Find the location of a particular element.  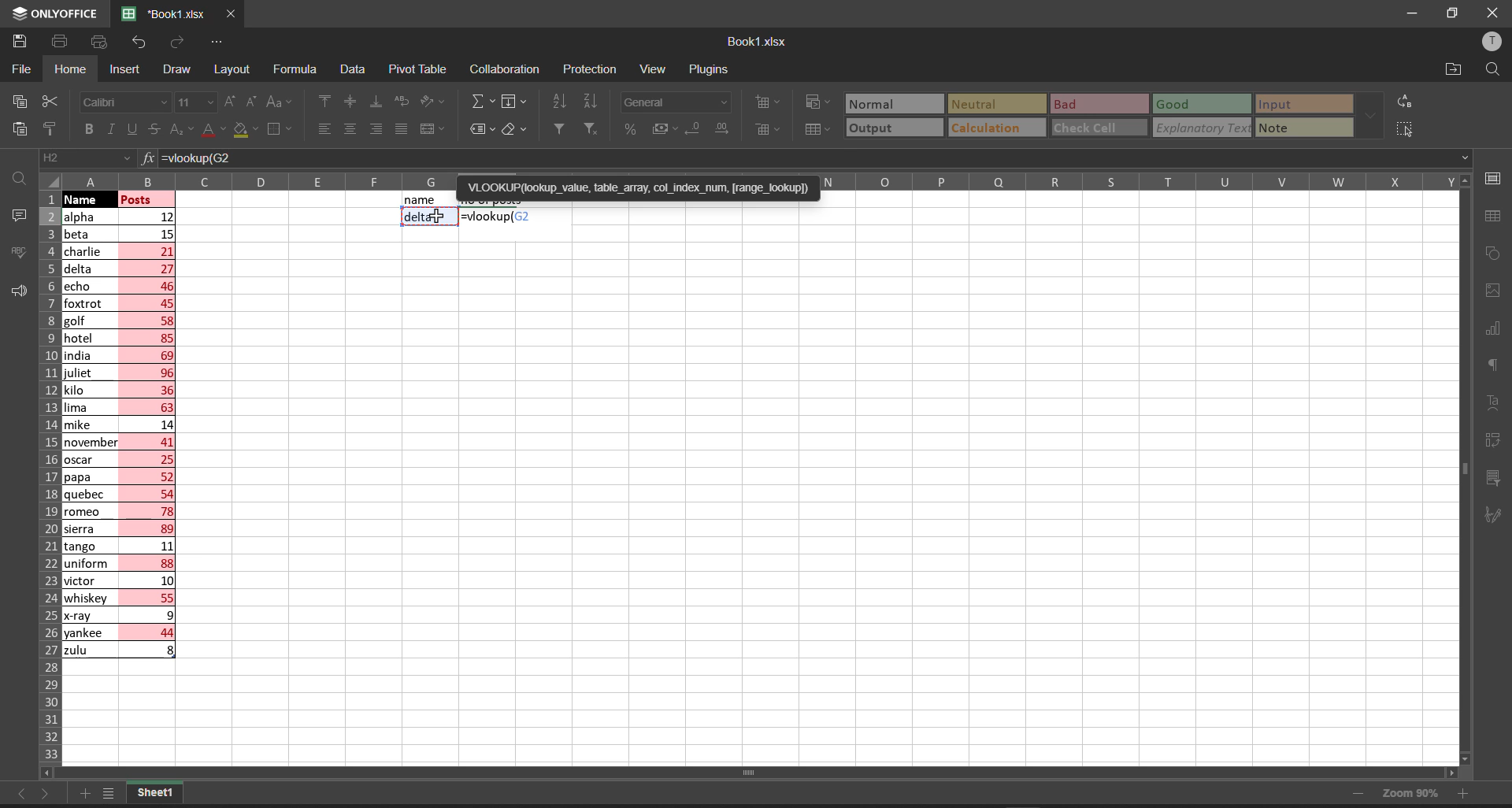

align left is located at coordinates (323, 130).